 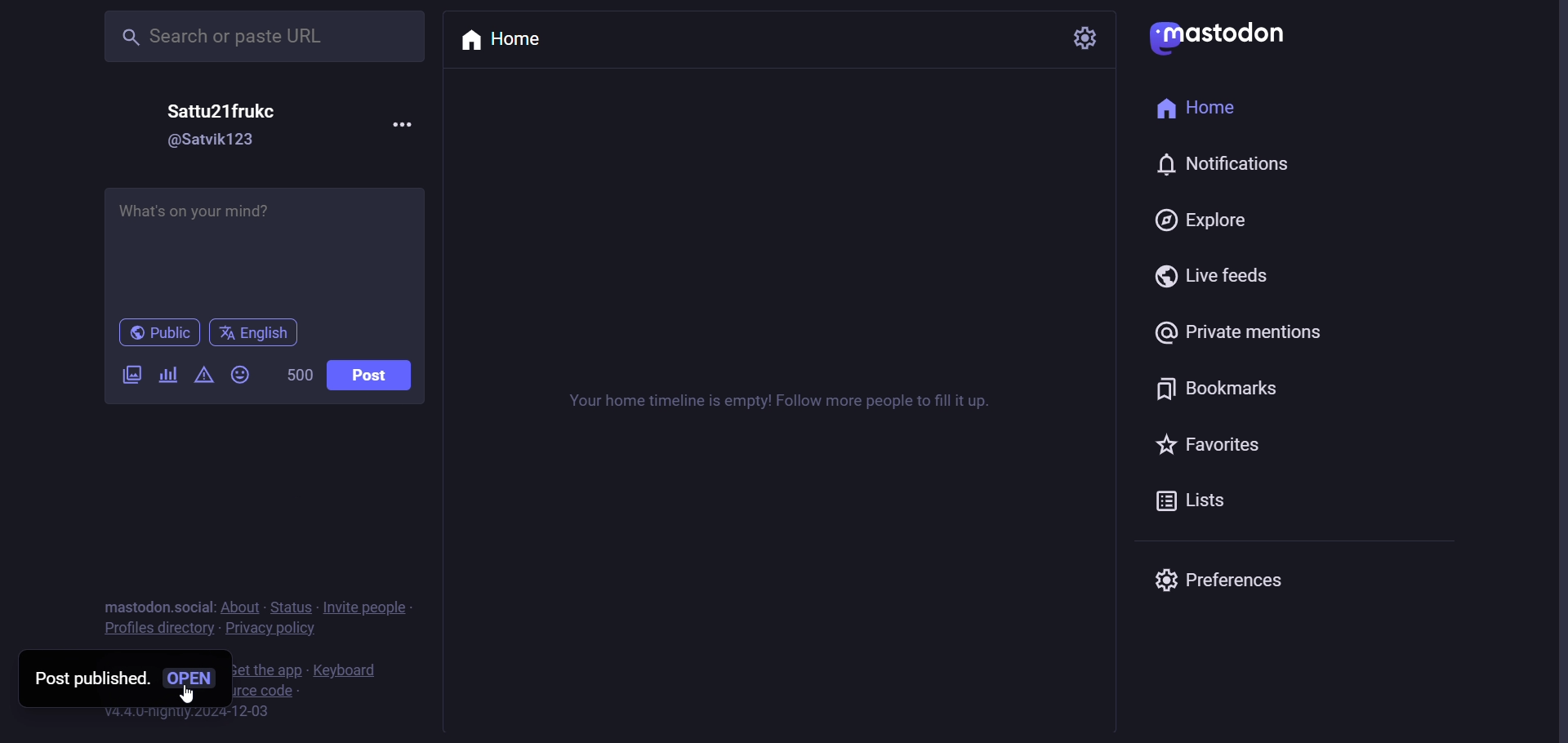 I want to click on Preferences, so click(x=1222, y=580).